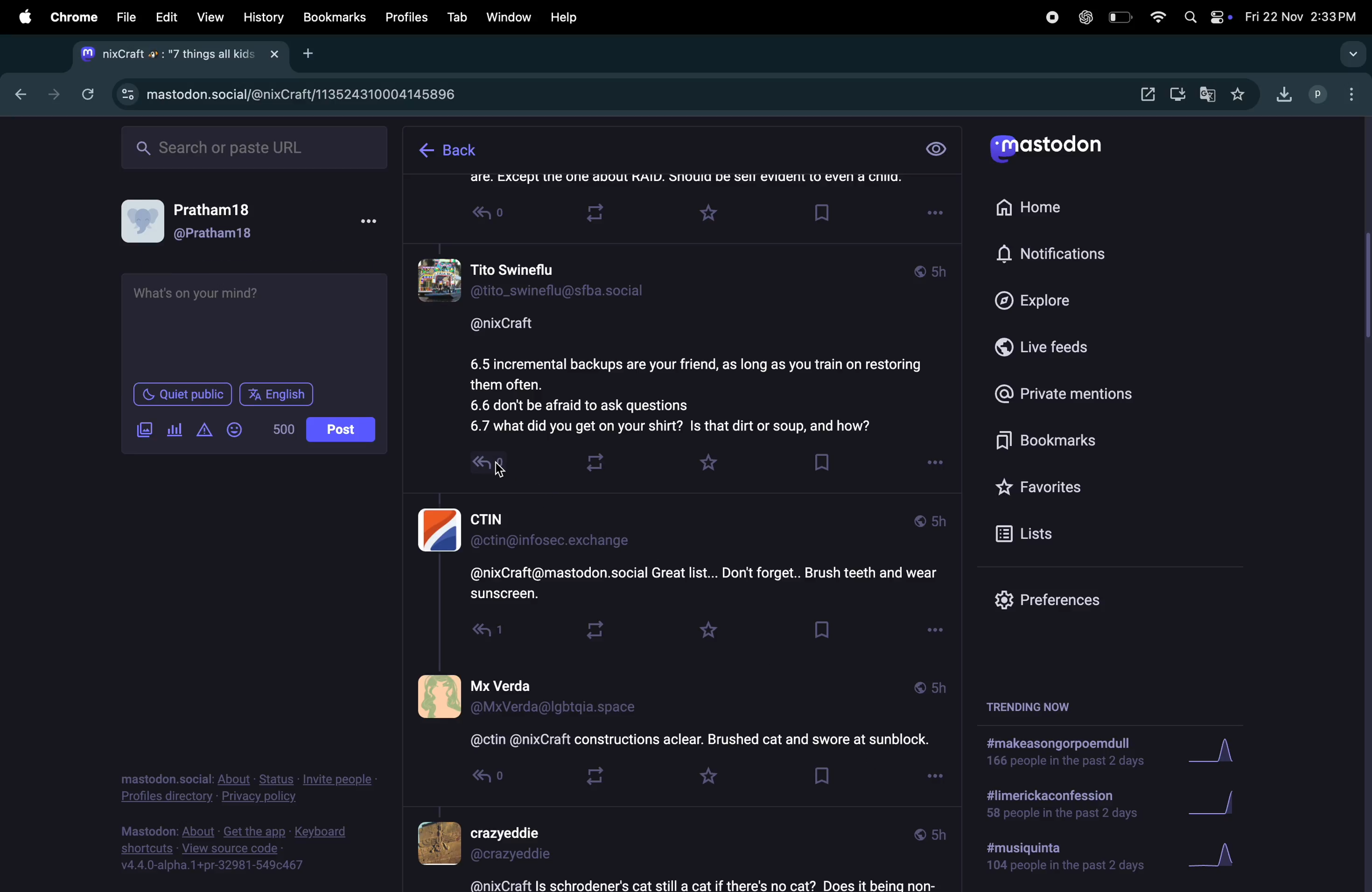 This screenshot has width=1372, height=892. I want to click on thread, so click(683, 557).